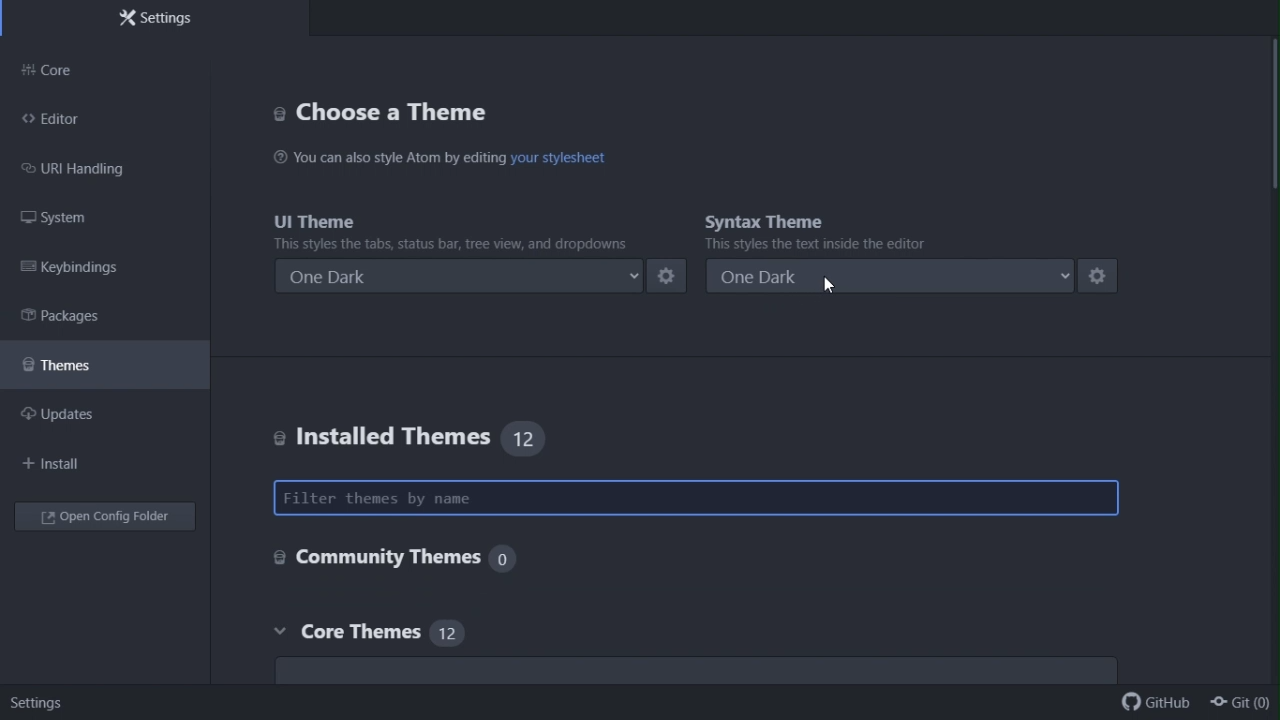 Image resolution: width=1280 pixels, height=720 pixels. What do you see at coordinates (463, 277) in the screenshot?
I see `One dark` at bounding box center [463, 277].